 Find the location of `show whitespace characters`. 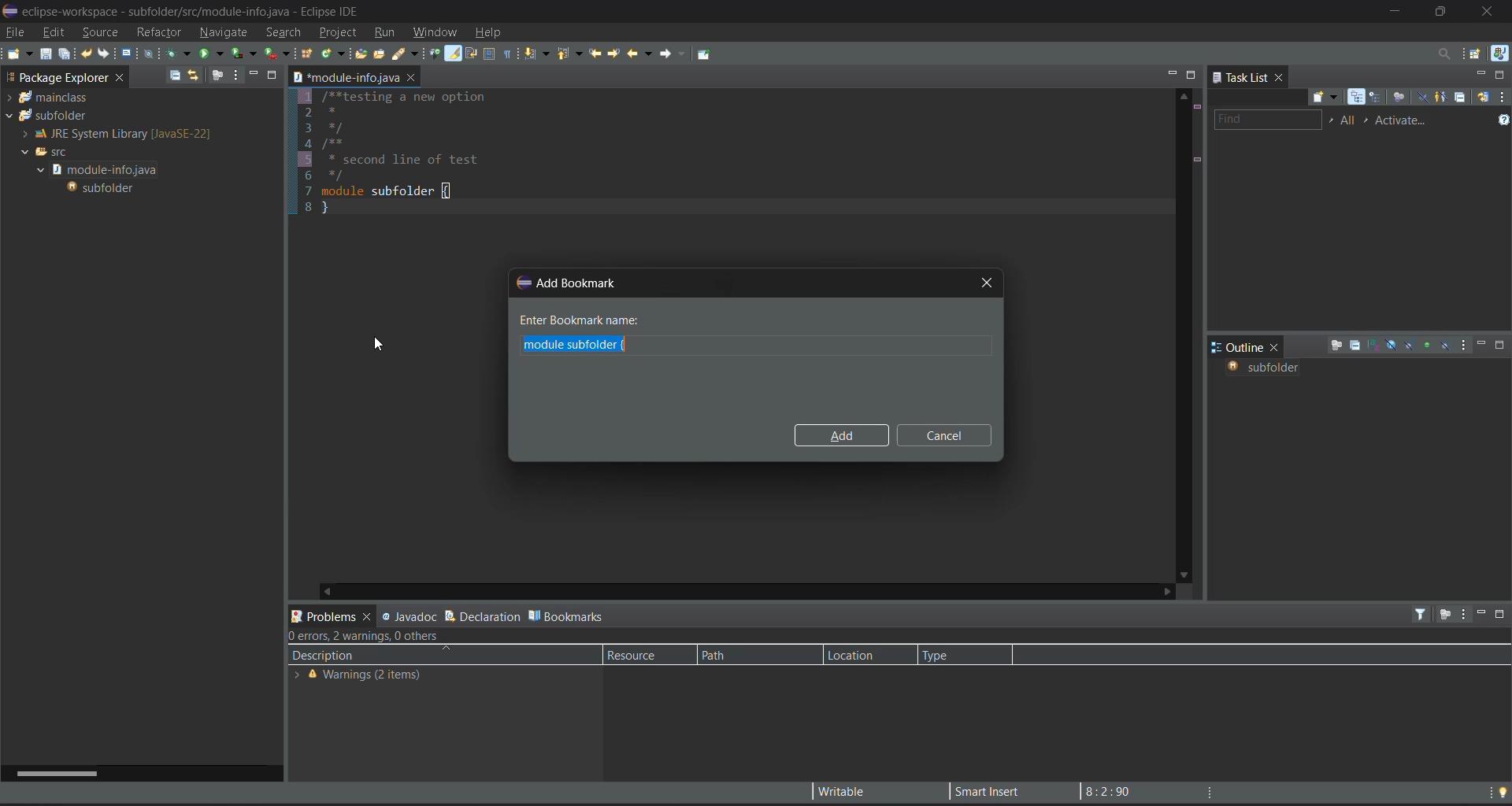

show whitespace characters is located at coordinates (509, 54).